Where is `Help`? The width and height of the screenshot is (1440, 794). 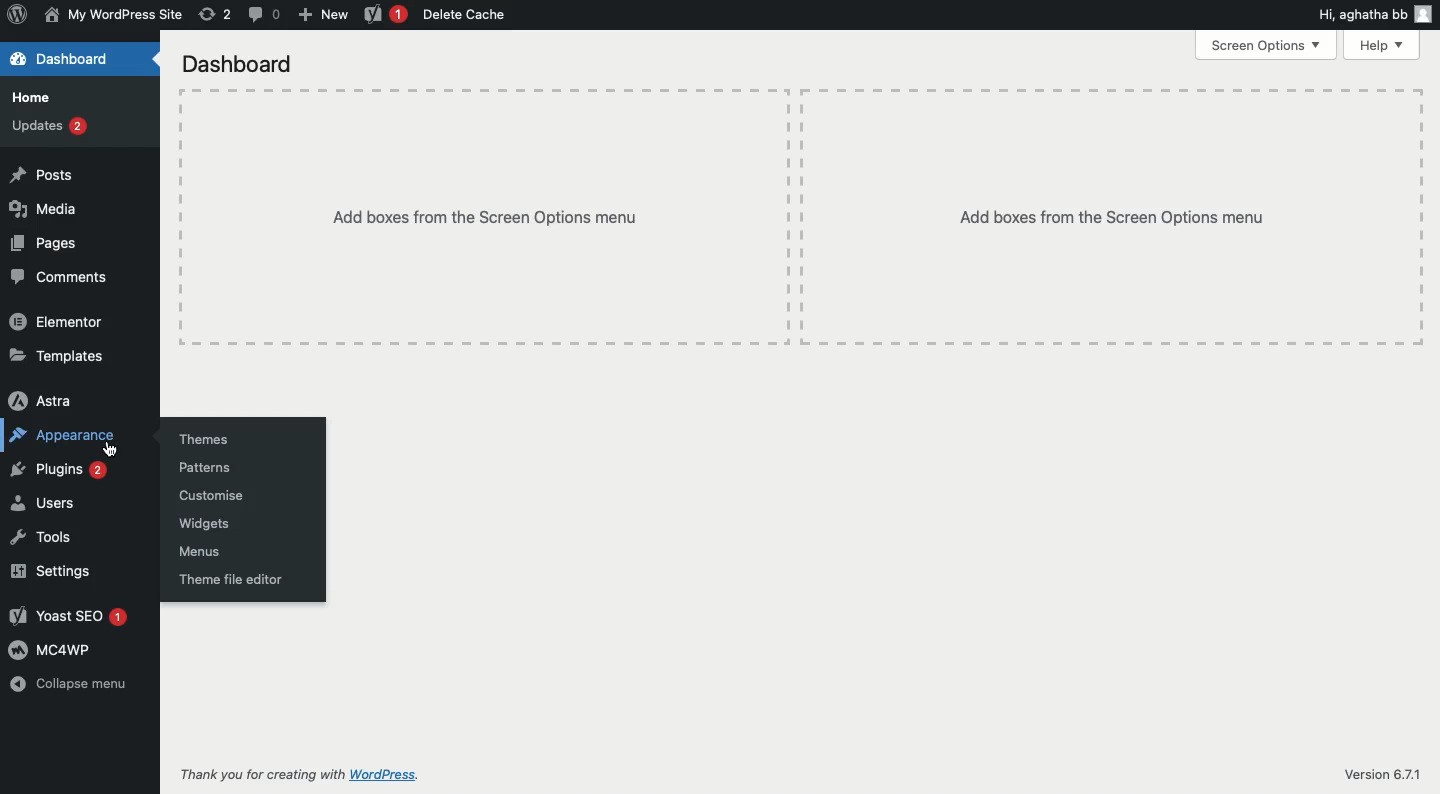 Help is located at coordinates (1383, 45).